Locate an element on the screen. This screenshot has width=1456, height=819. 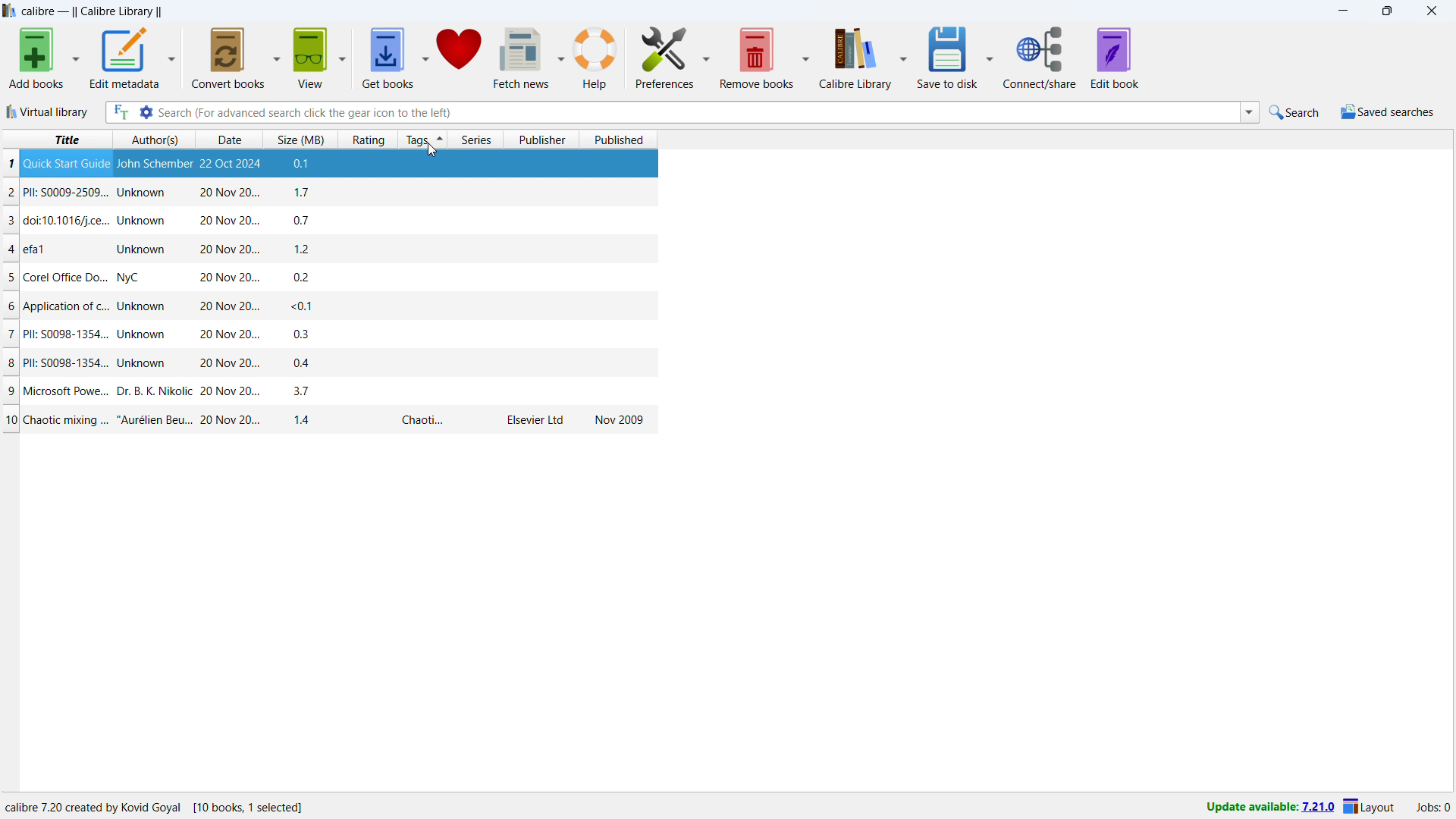
 is located at coordinates (756, 57).